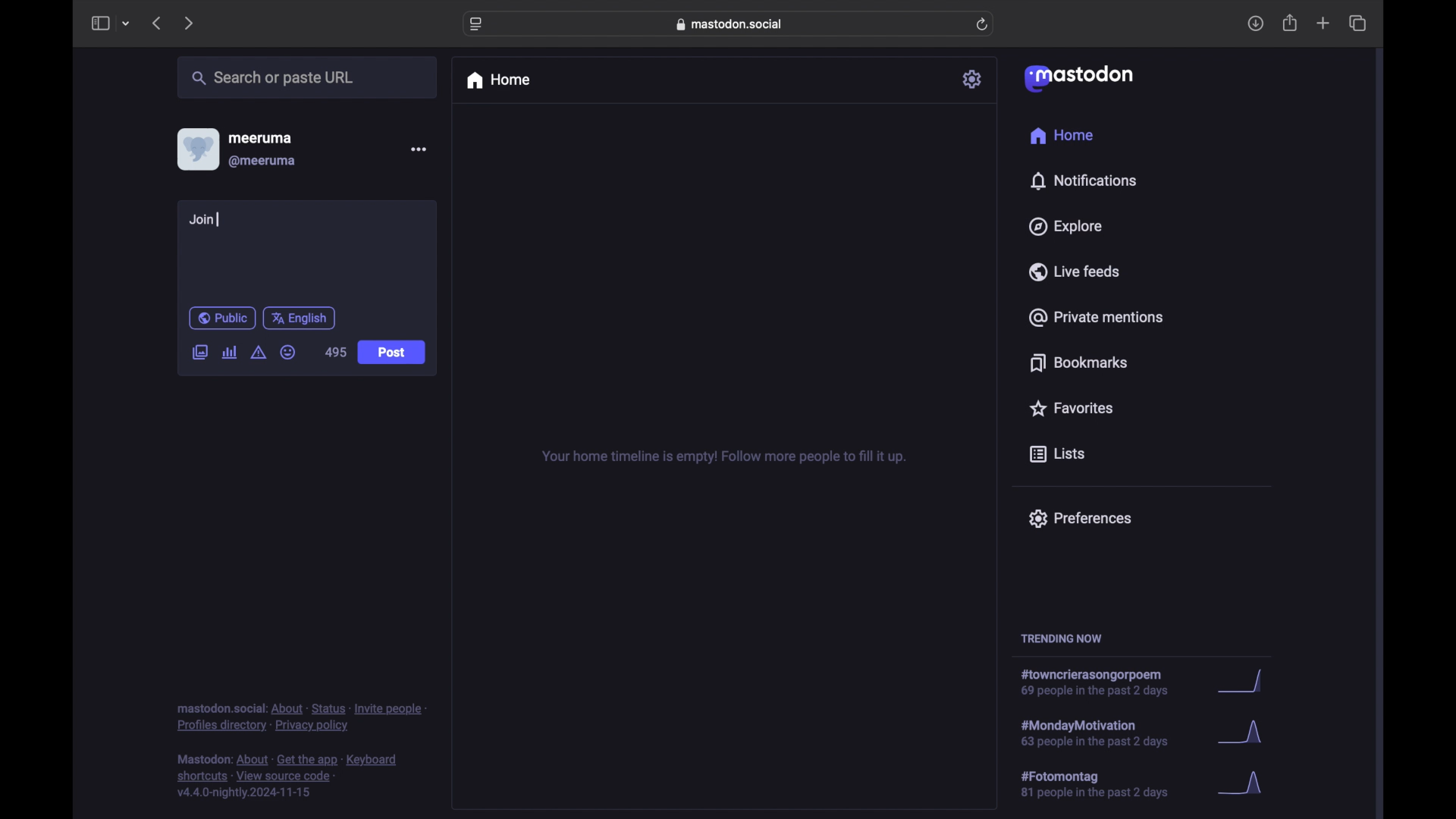 Image resolution: width=1456 pixels, height=819 pixels. What do you see at coordinates (302, 717) in the screenshot?
I see `footnote` at bounding box center [302, 717].